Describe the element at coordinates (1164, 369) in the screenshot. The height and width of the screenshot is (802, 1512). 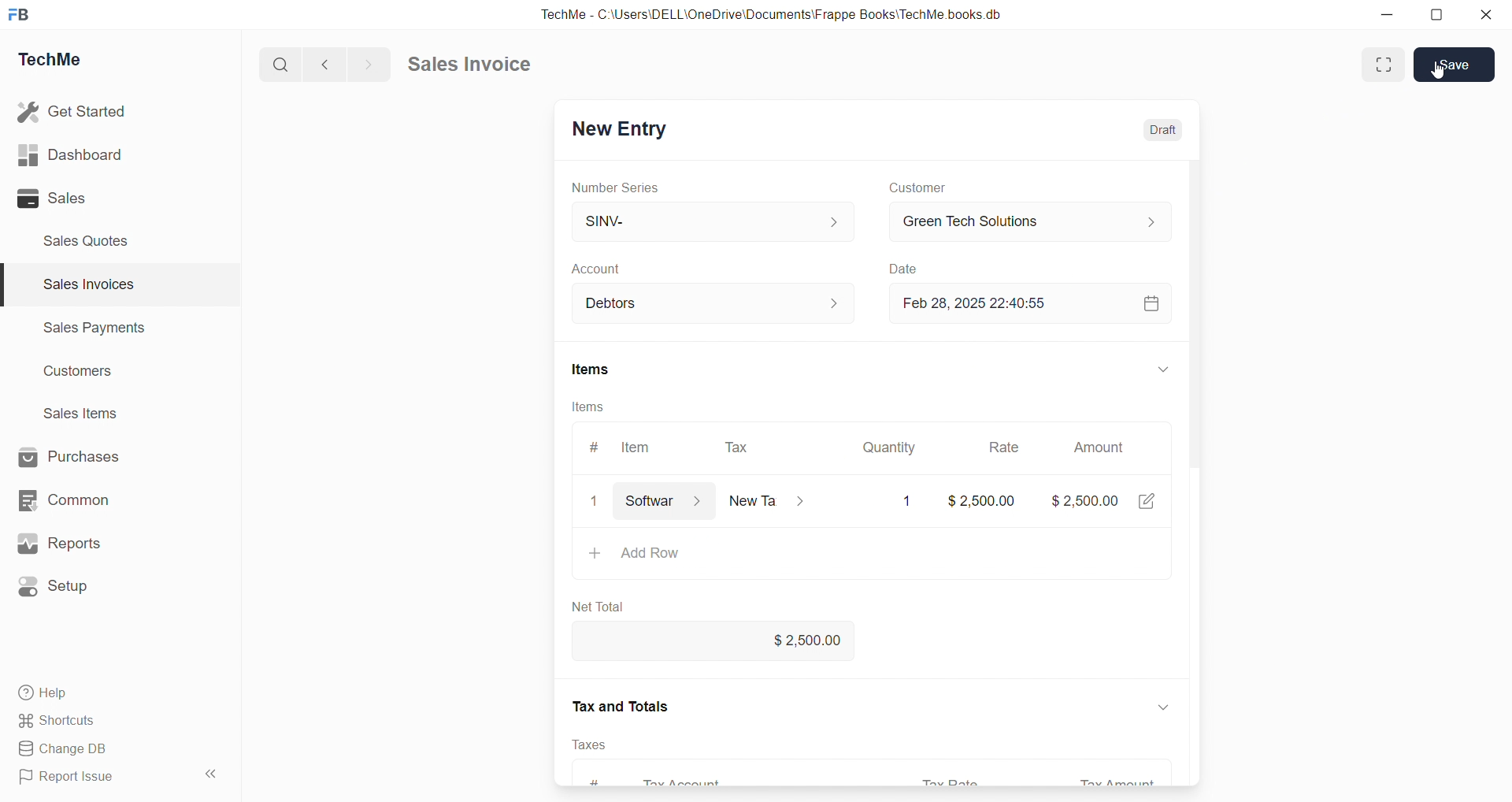
I see `down` at that location.